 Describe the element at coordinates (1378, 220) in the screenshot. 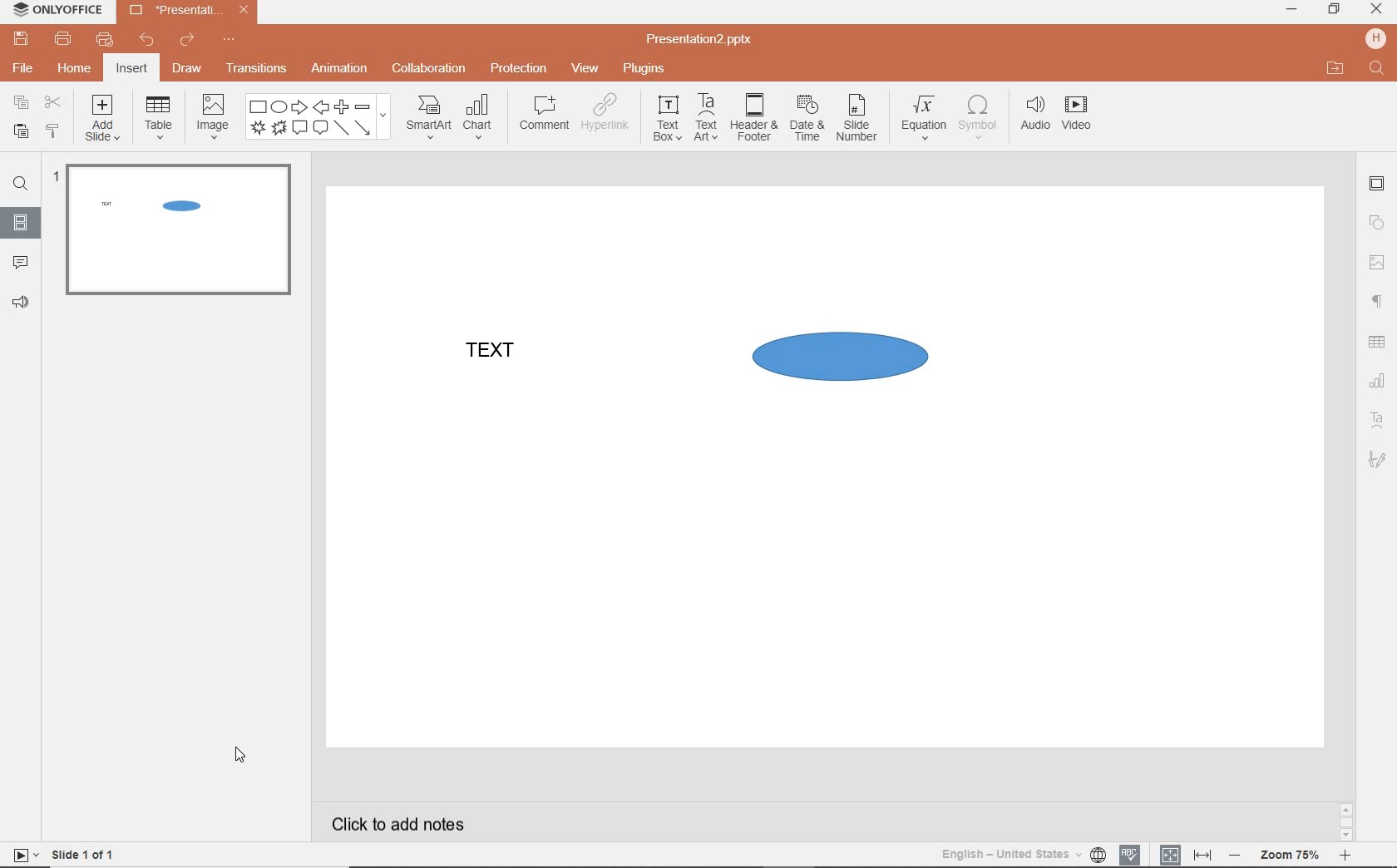

I see `SHAPE SETTINGS` at that location.